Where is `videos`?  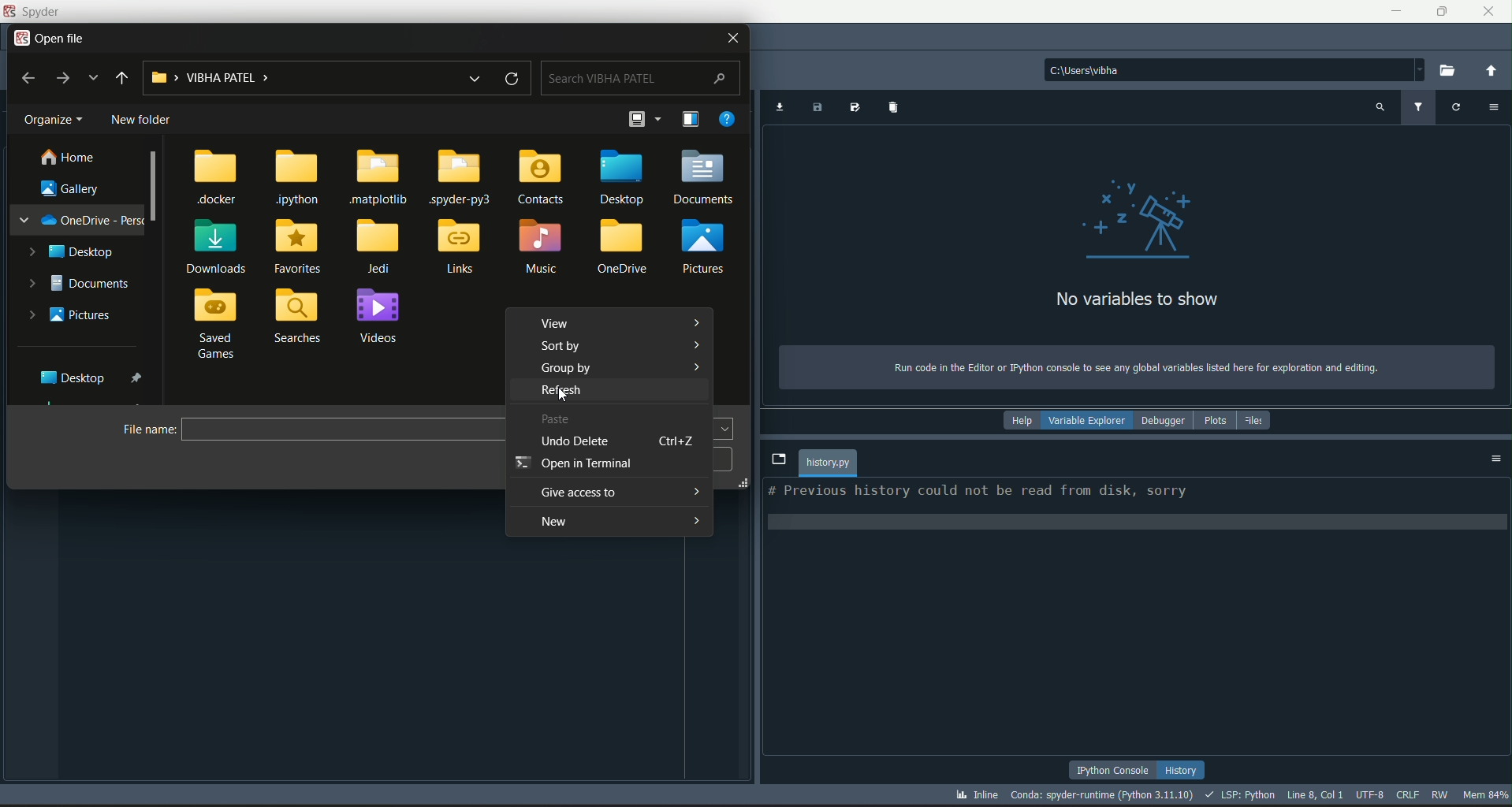 videos is located at coordinates (381, 316).